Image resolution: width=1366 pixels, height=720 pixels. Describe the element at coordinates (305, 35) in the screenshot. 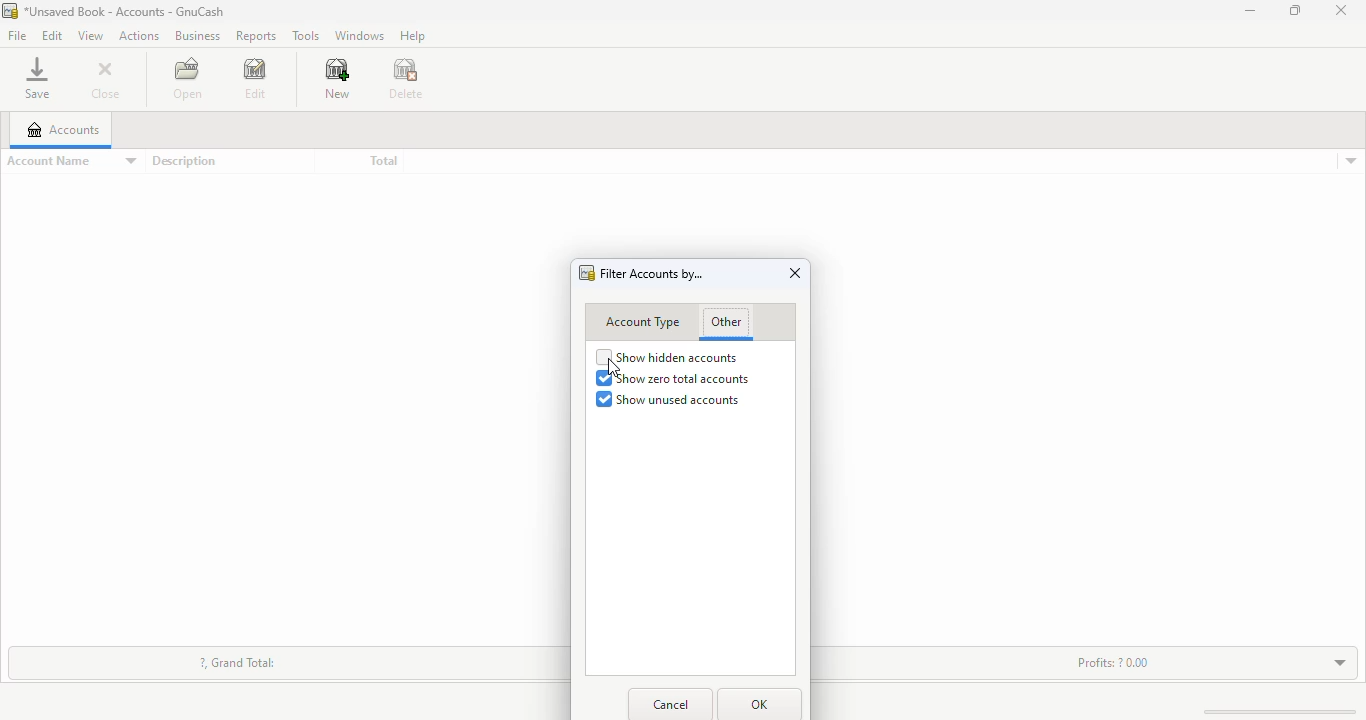

I see `tools` at that location.